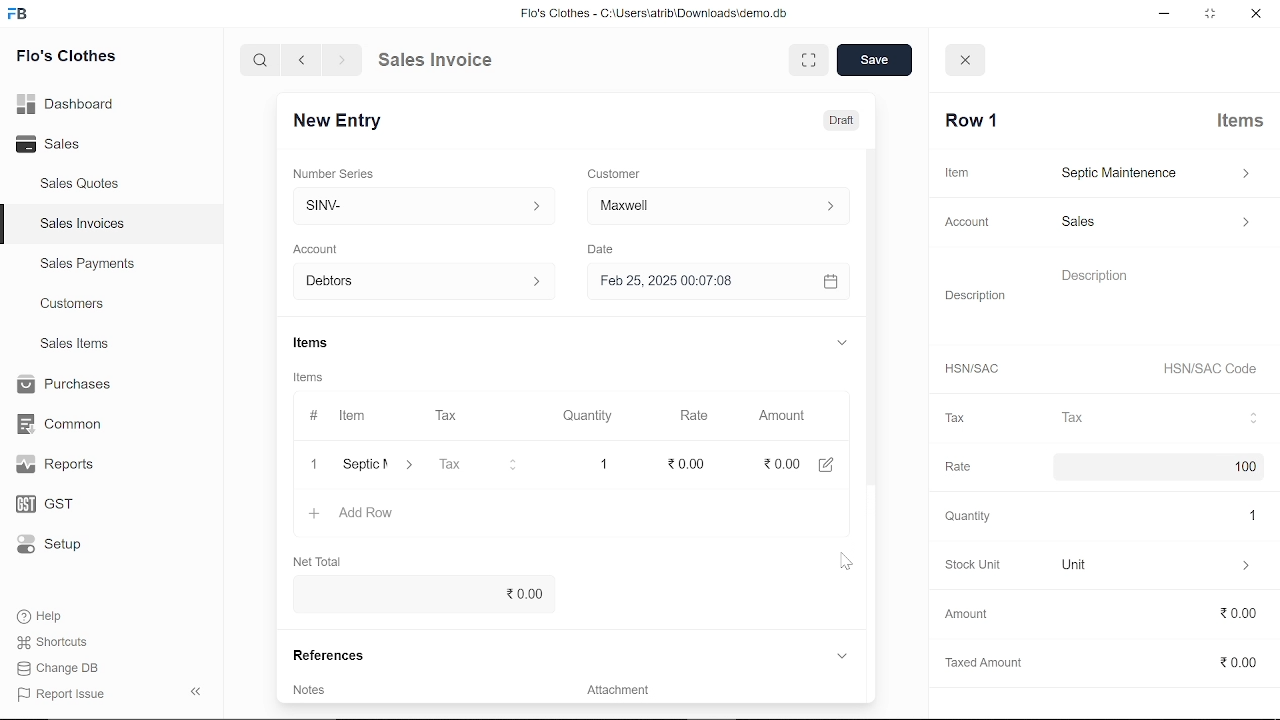 Image resolution: width=1280 pixels, height=720 pixels. Describe the element at coordinates (342, 60) in the screenshot. I see `next` at that location.